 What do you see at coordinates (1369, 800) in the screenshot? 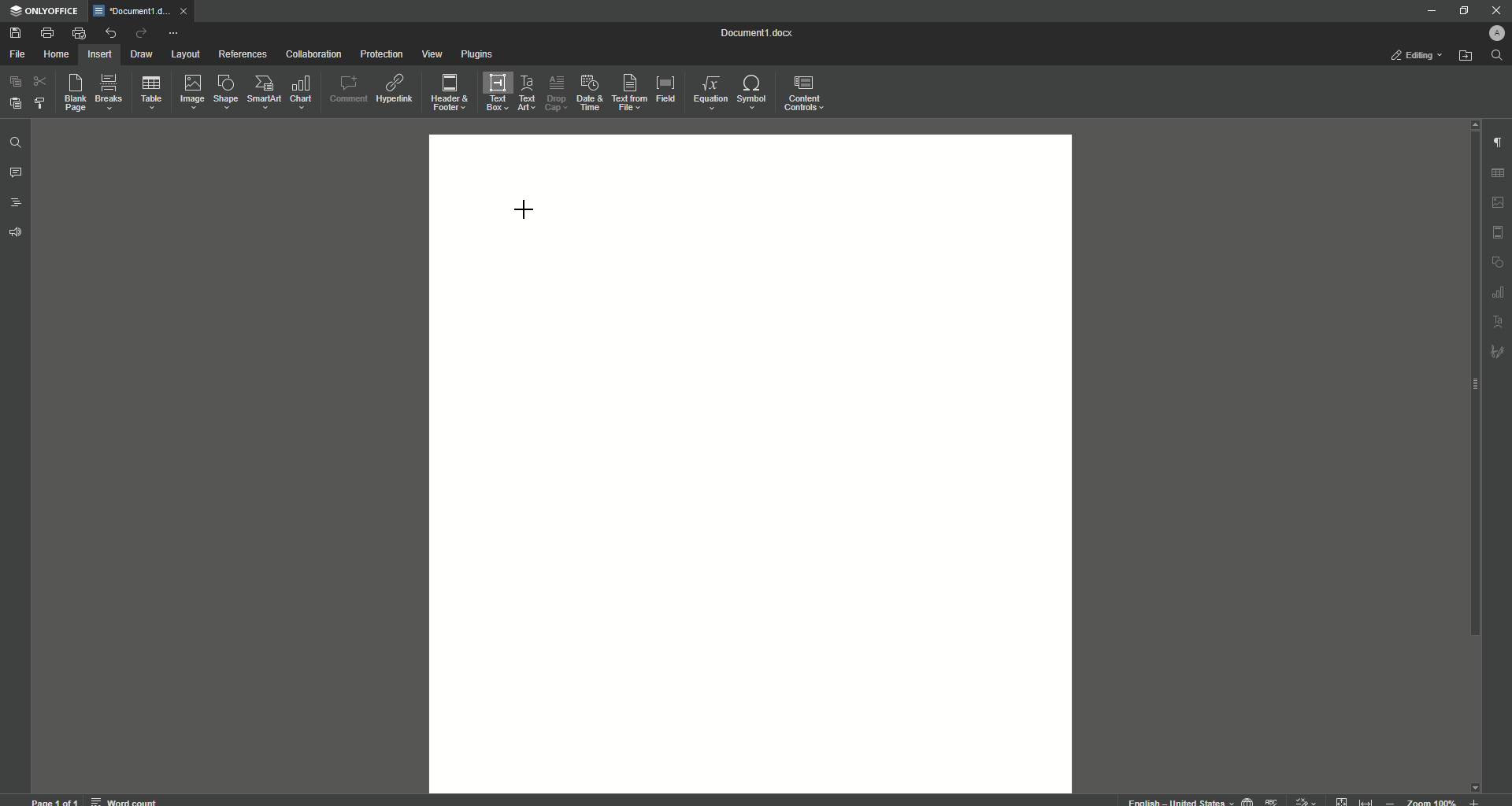
I see `fit to width` at bounding box center [1369, 800].